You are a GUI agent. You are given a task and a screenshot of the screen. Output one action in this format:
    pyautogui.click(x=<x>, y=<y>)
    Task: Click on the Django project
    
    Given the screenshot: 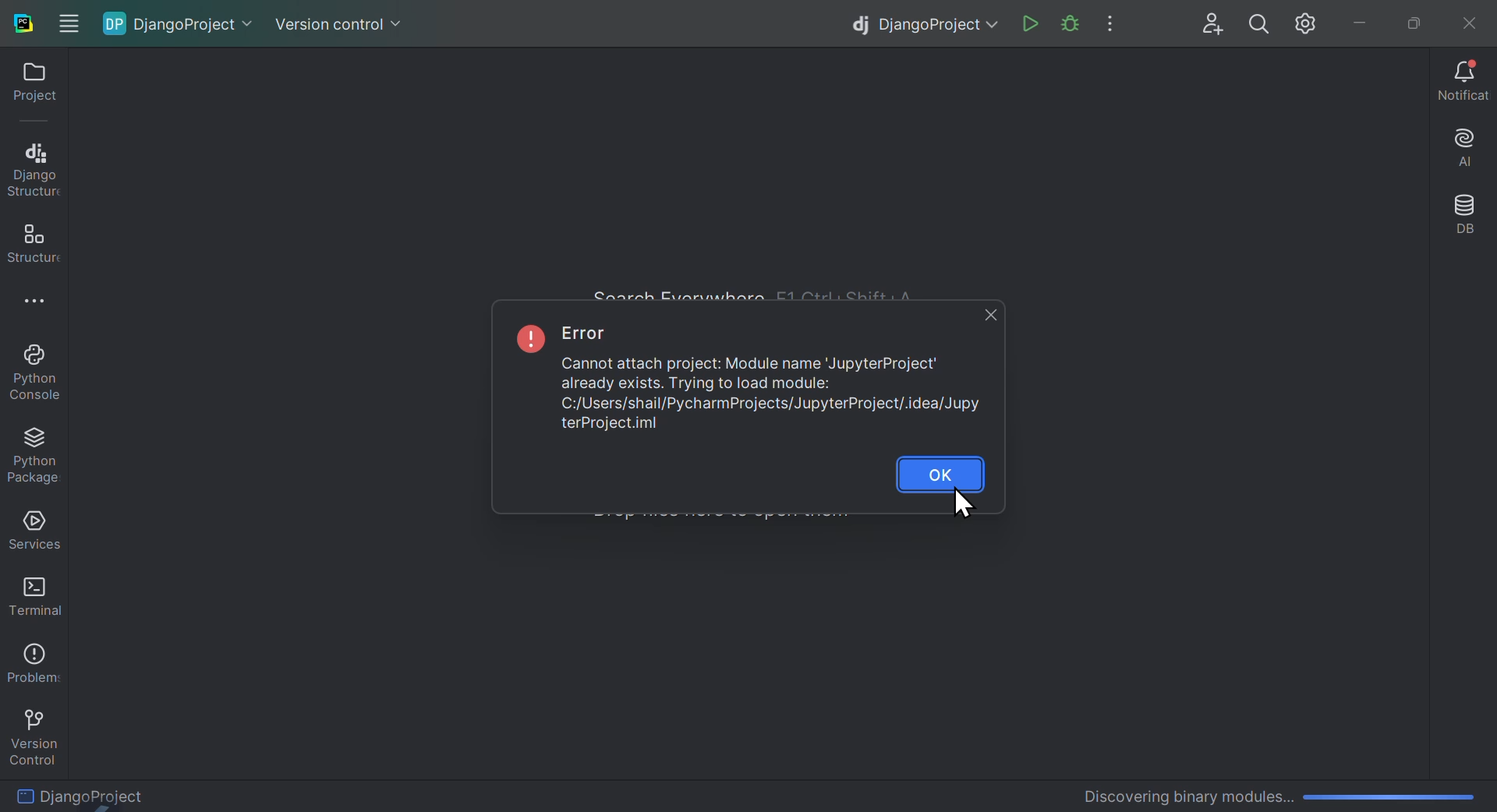 What is the action you would take?
    pyautogui.click(x=918, y=23)
    